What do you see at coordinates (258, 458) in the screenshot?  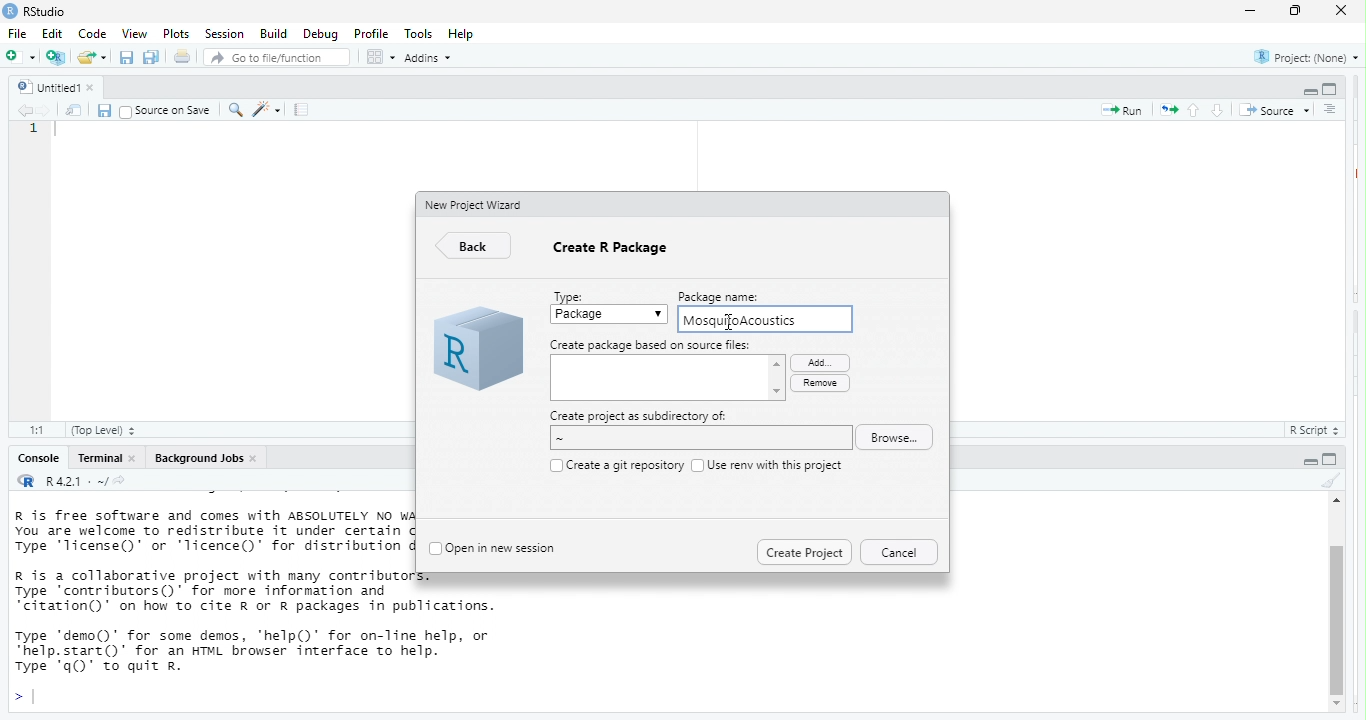 I see `close` at bounding box center [258, 458].